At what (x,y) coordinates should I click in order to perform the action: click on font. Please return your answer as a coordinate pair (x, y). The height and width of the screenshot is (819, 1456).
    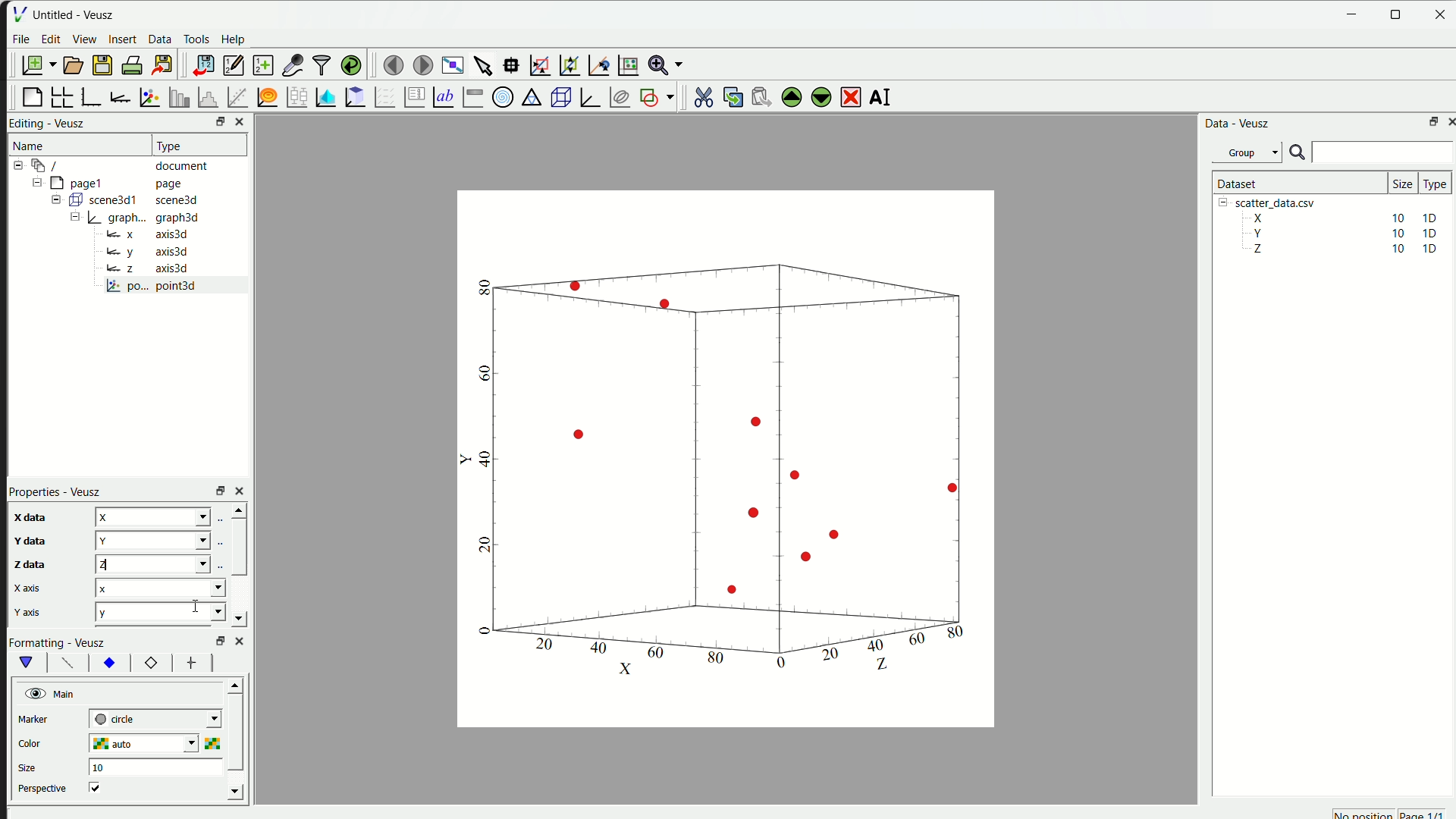
    Looking at the image, I should click on (191, 663).